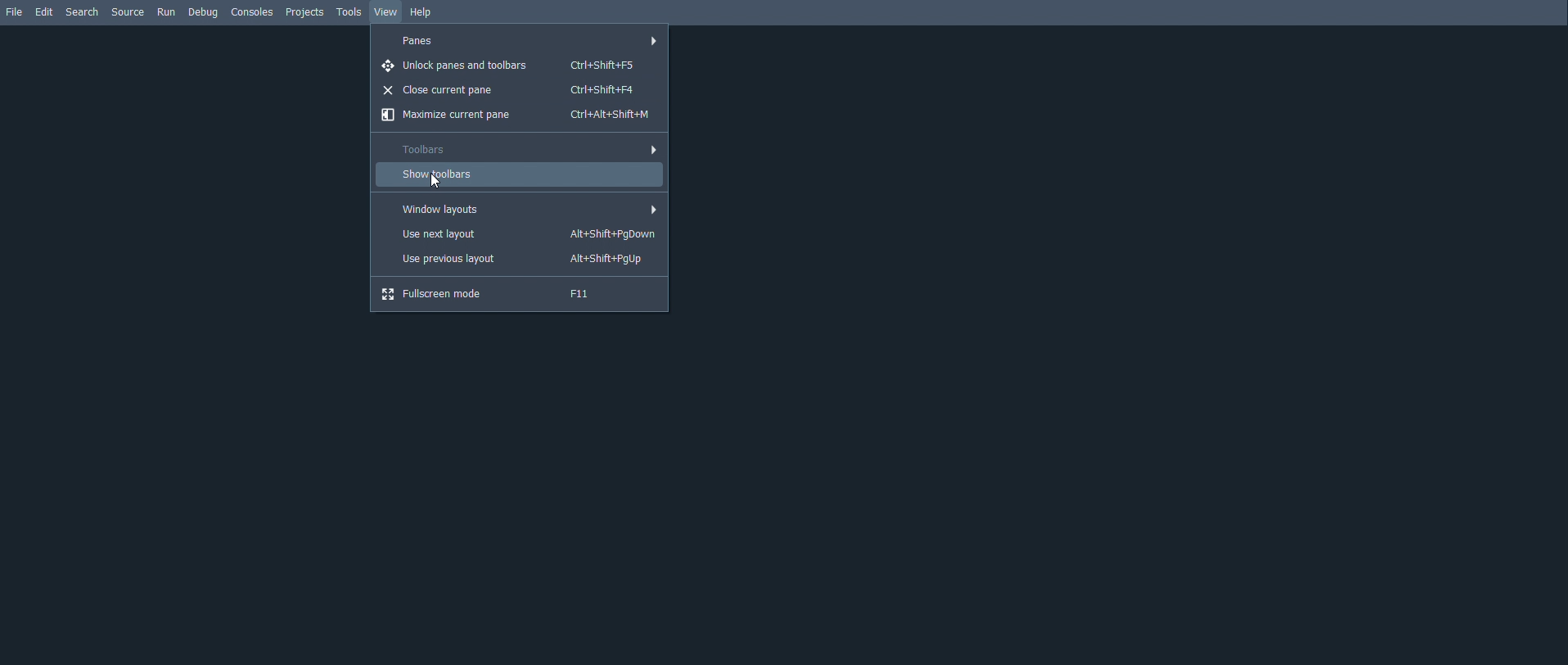  I want to click on Panes, so click(529, 43).